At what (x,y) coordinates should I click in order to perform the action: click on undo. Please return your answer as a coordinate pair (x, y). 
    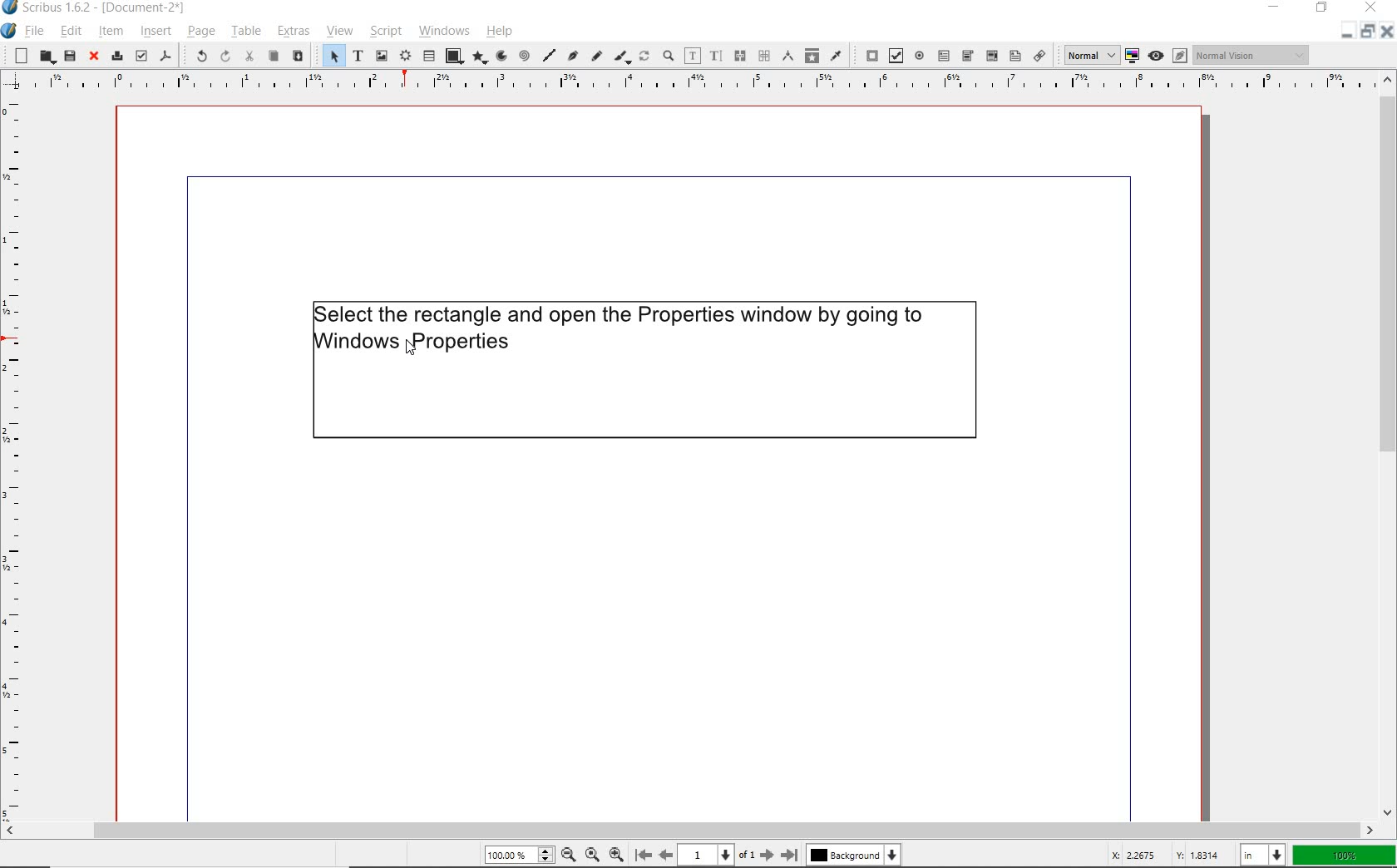
    Looking at the image, I should click on (196, 55).